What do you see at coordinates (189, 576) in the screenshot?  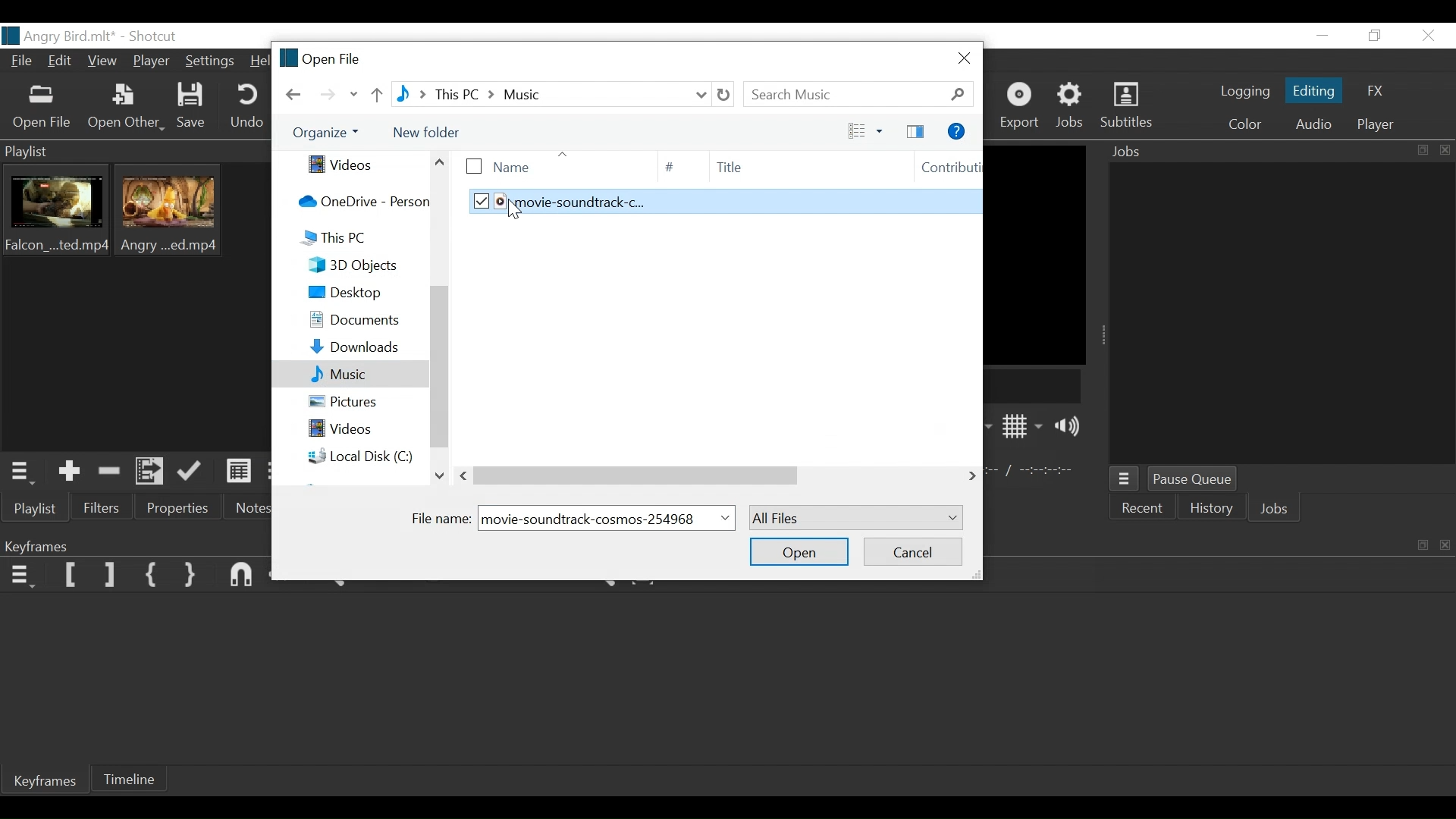 I see `Set Second Simple Keyframe` at bounding box center [189, 576].